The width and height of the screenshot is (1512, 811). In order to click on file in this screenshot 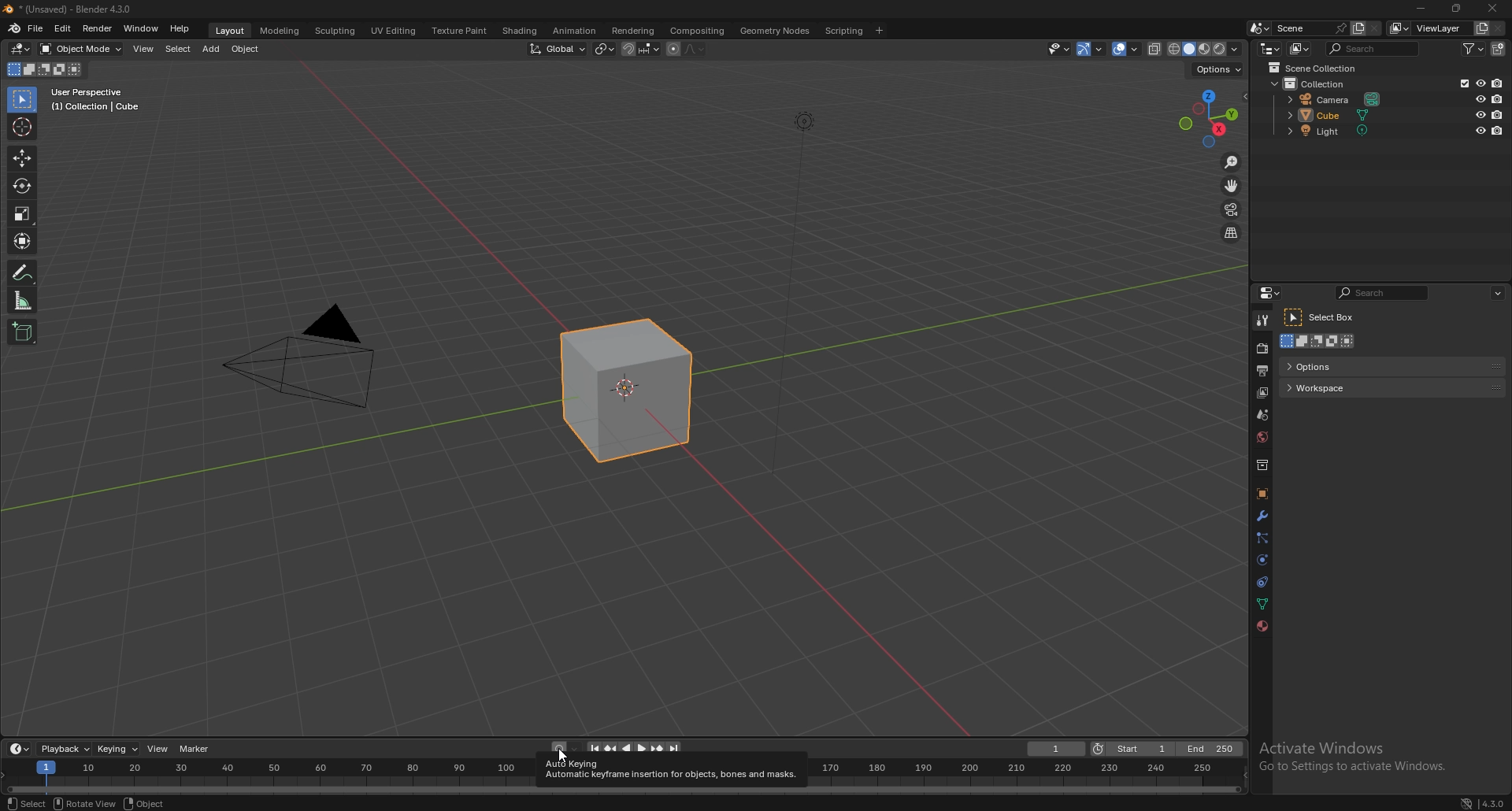, I will do `click(35, 28)`.